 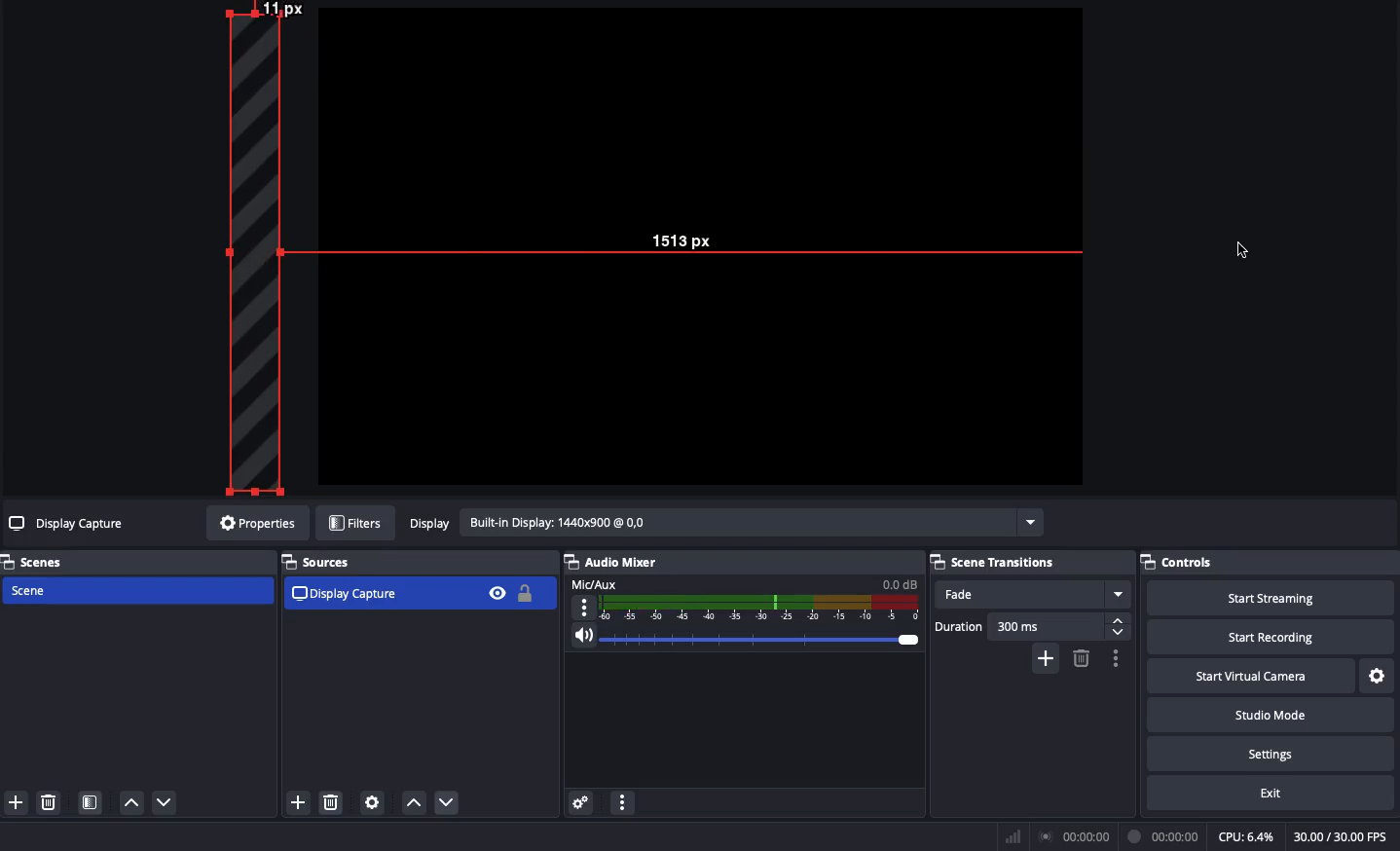 I want to click on Settings, so click(x=1269, y=751).